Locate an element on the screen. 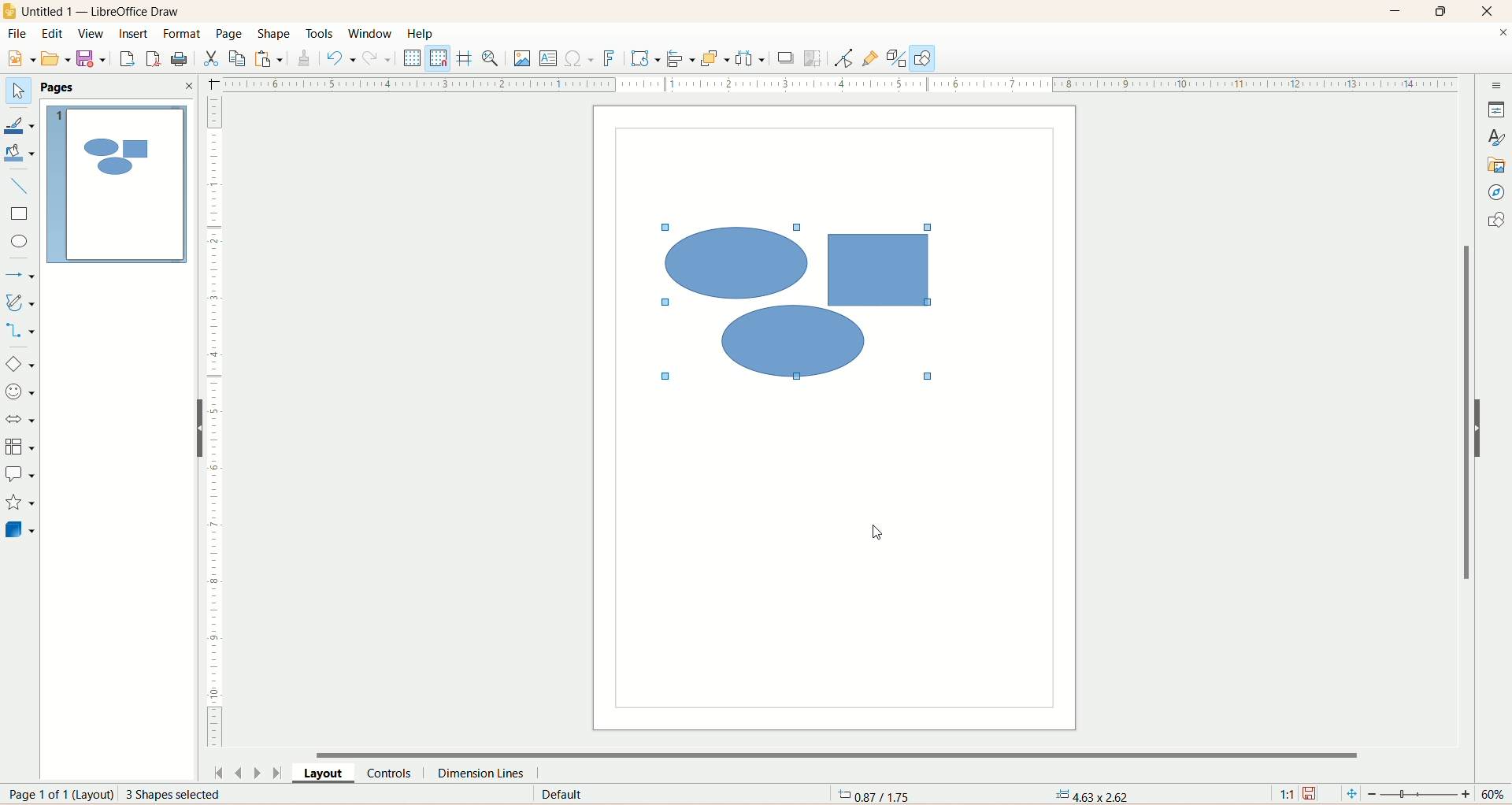 The height and width of the screenshot is (805, 1512). new is located at coordinates (22, 57).